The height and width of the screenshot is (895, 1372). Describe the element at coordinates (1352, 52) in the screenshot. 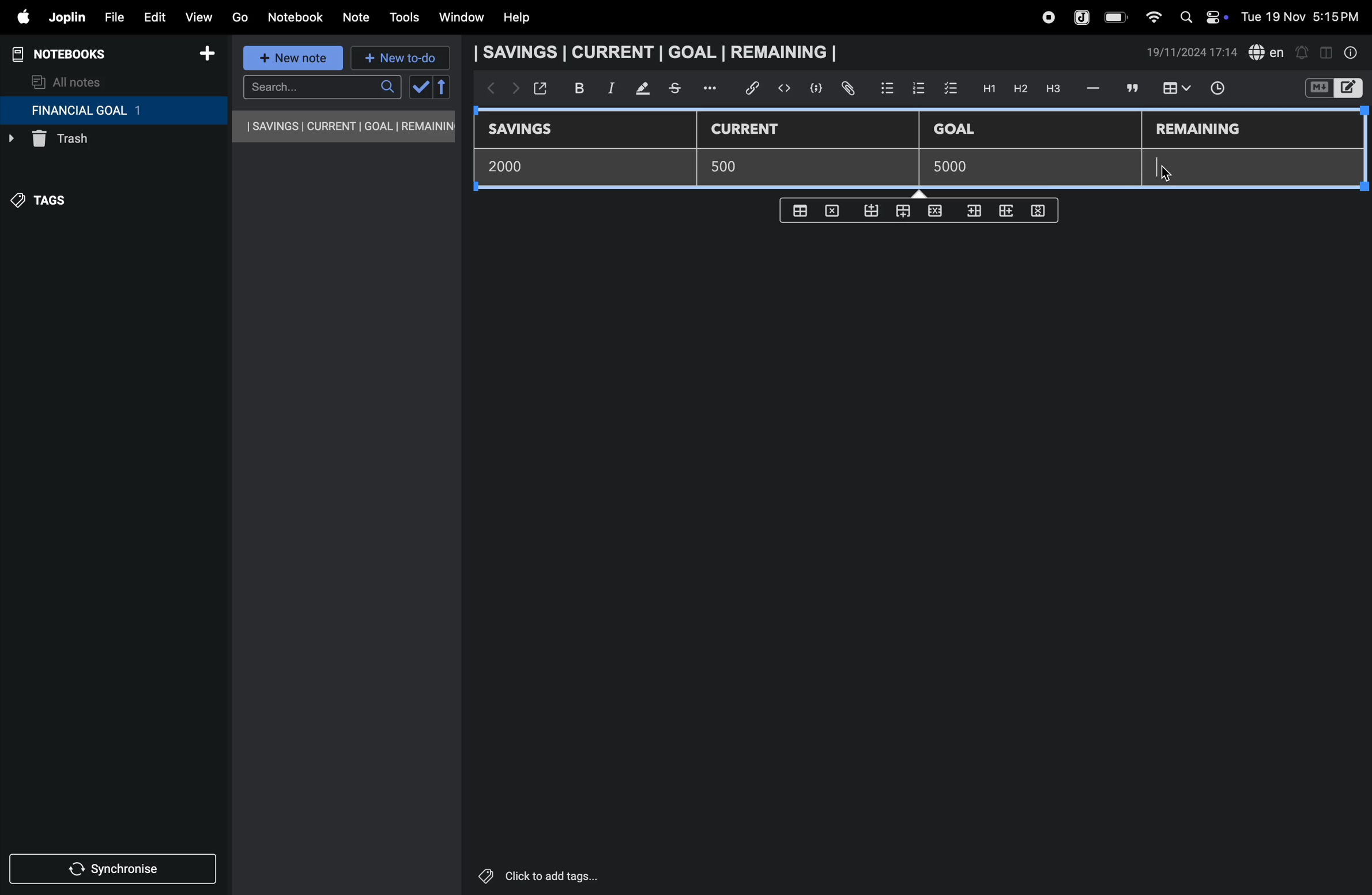

I see `info` at that location.